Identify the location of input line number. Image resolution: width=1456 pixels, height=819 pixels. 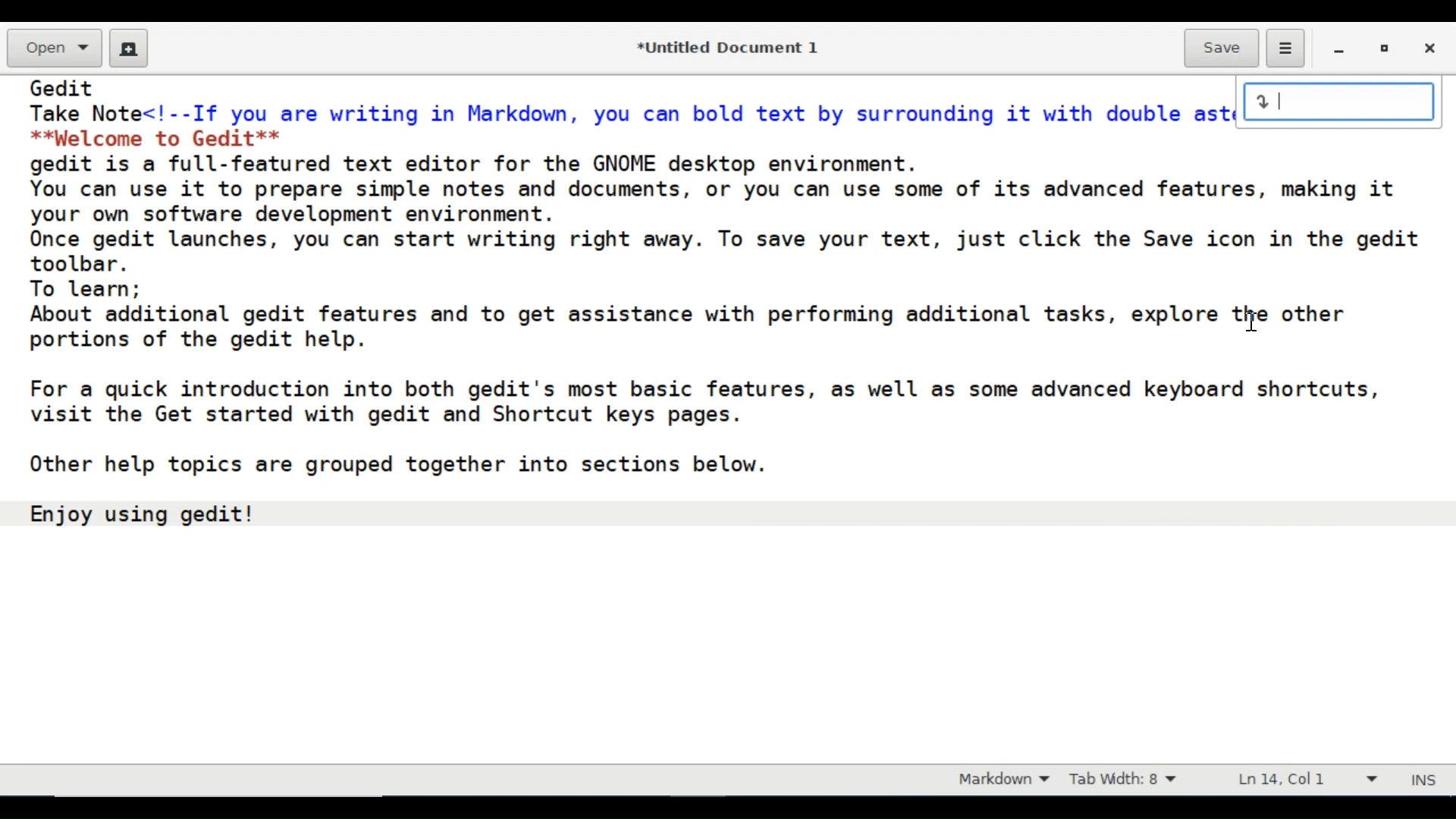
(1340, 102).